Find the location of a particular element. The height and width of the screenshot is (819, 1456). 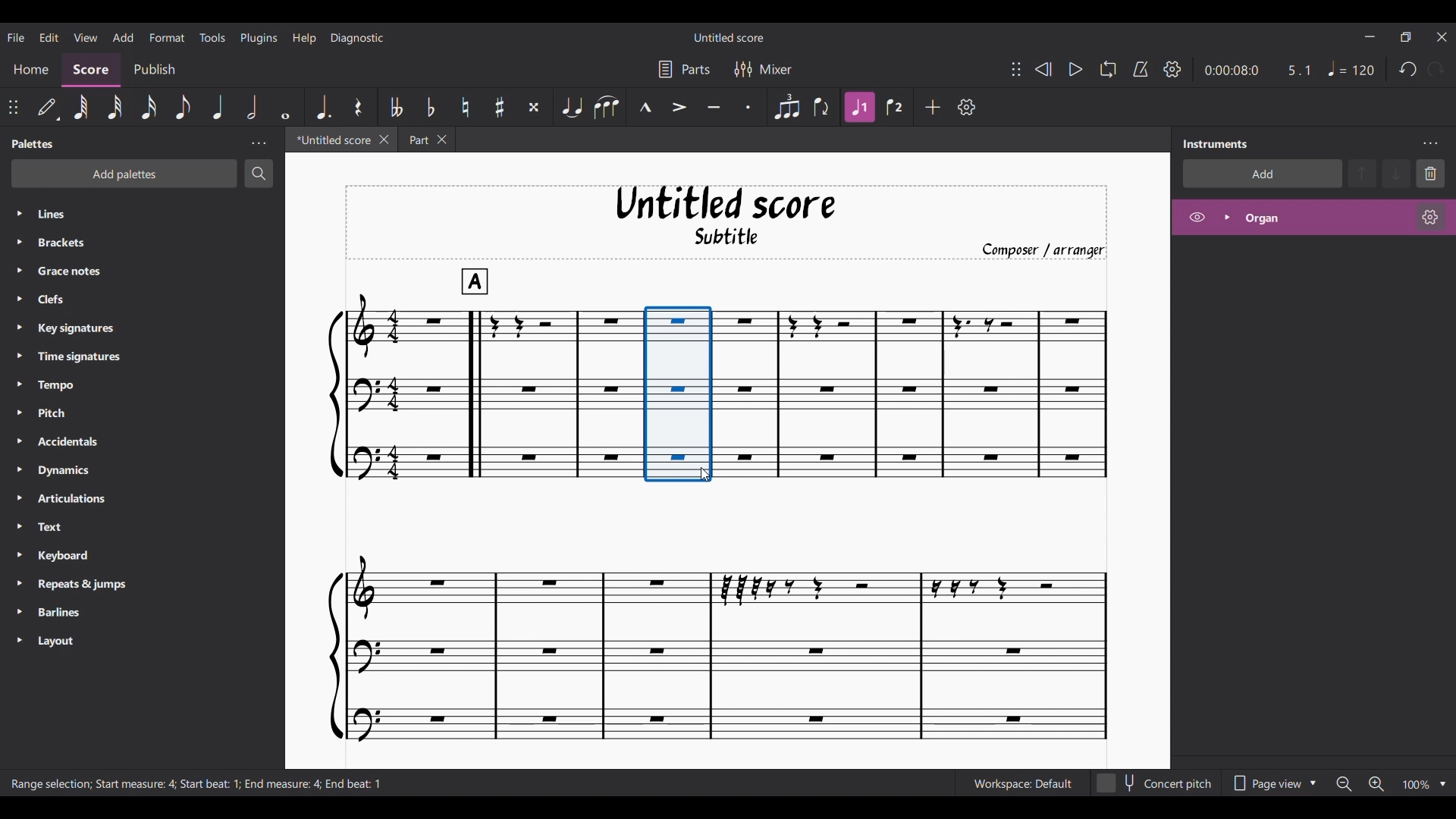

New measure added before the earlier selection as per options selected is located at coordinates (678, 394).